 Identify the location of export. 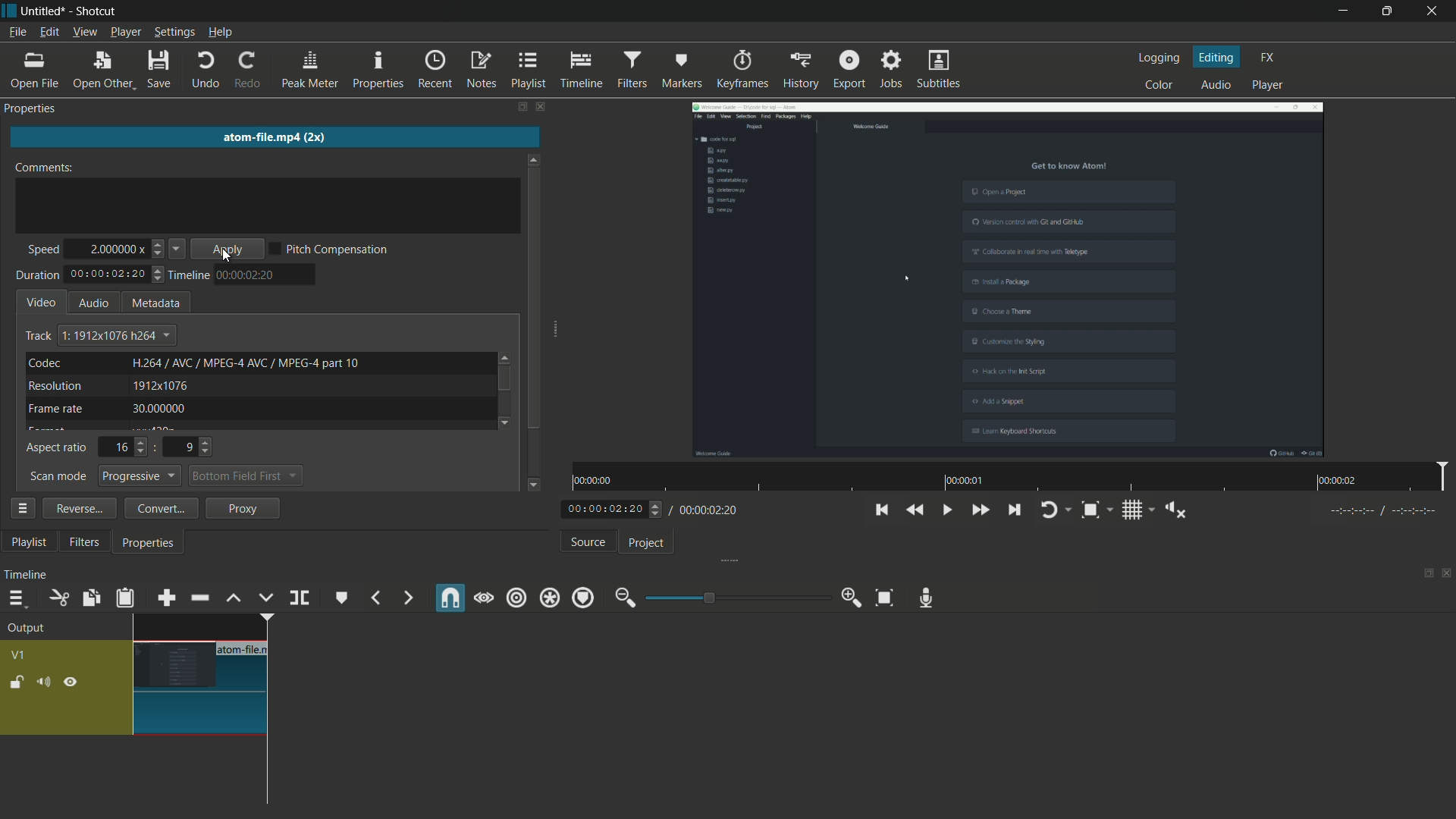
(850, 70).